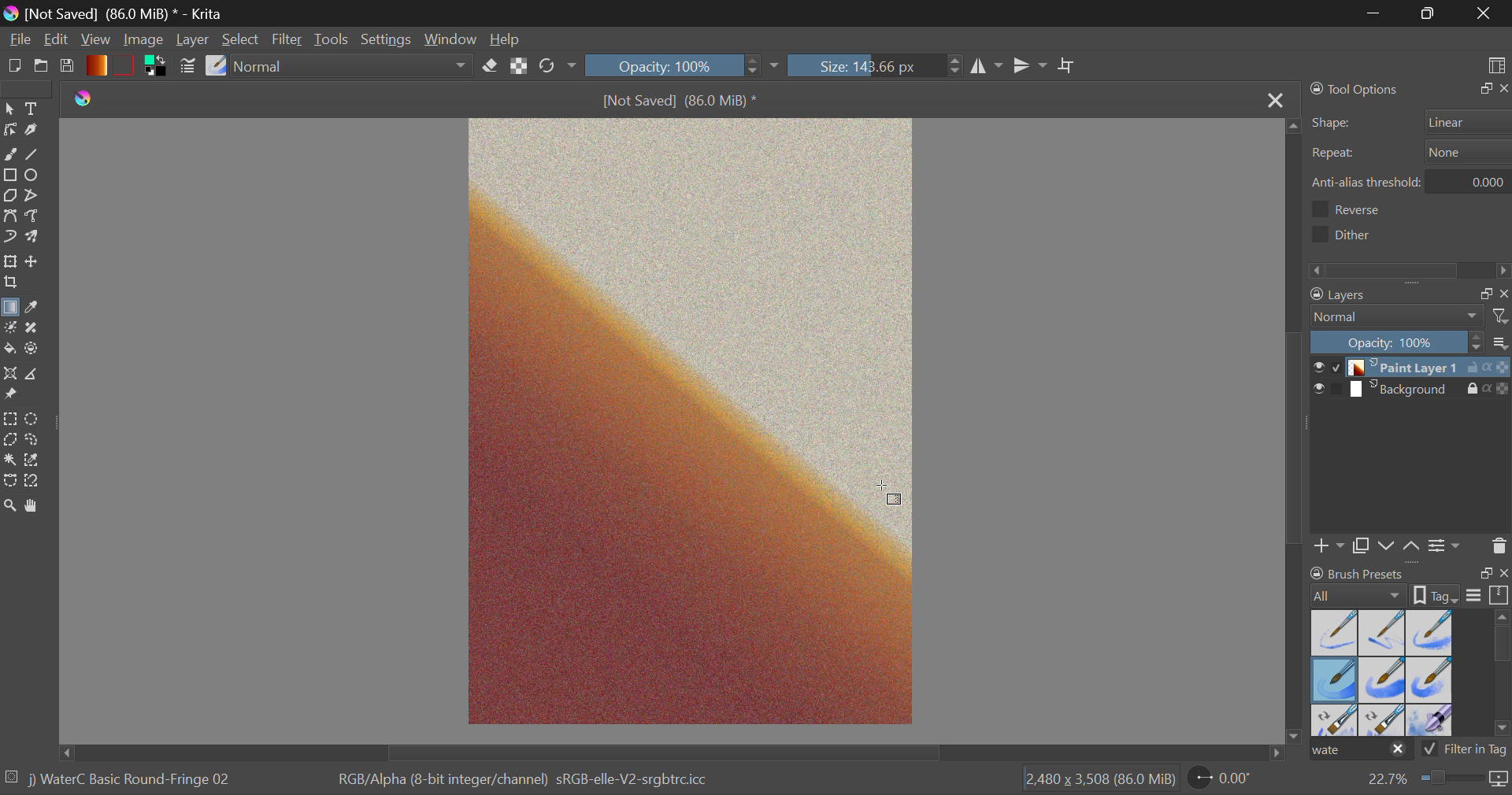  Describe the element at coordinates (132, 782) in the screenshot. I see `jj waterc basic round-fringe 02` at that location.